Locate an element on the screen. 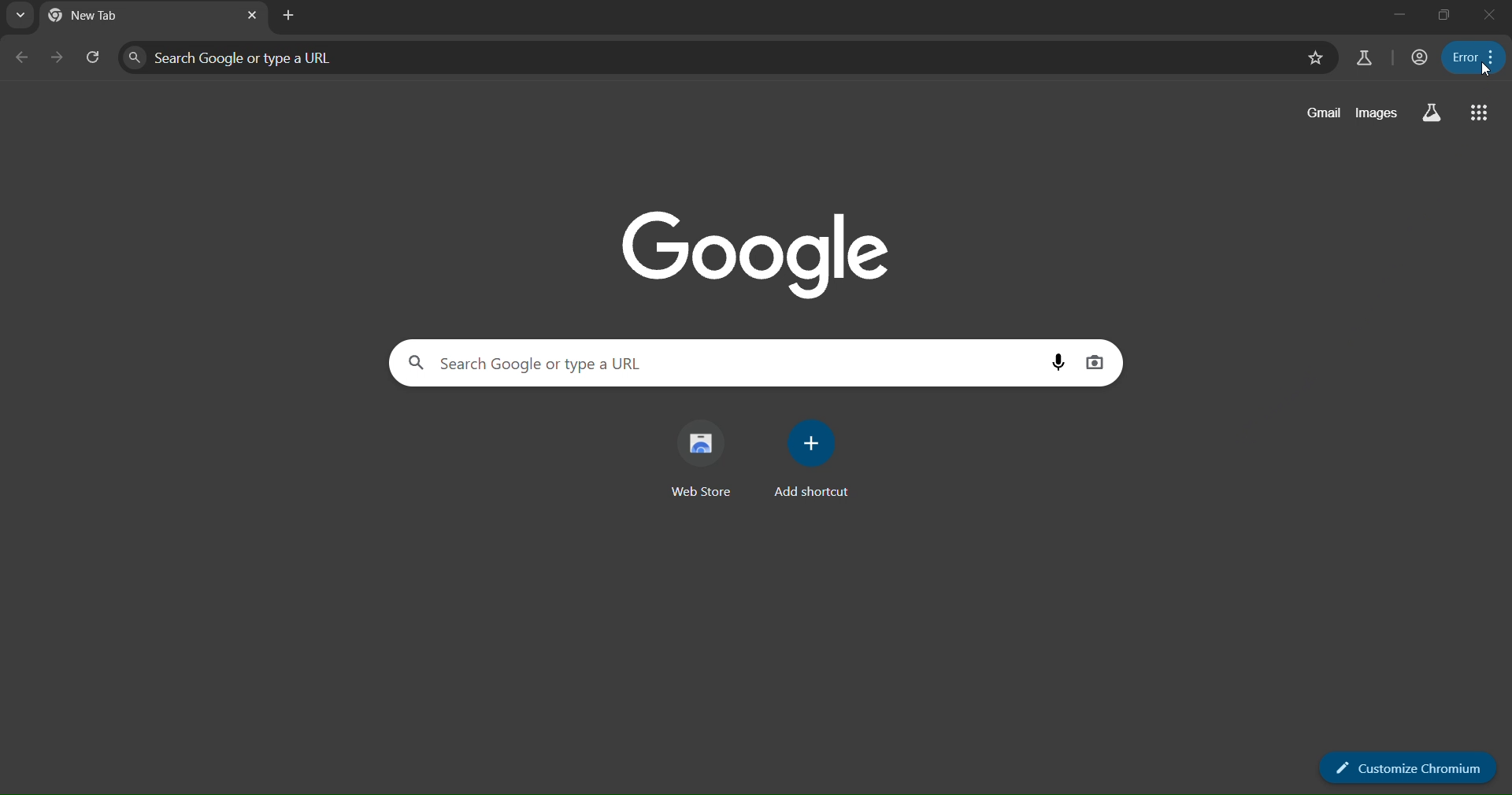 This screenshot has height=795, width=1512. close tab is located at coordinates (250, 17).